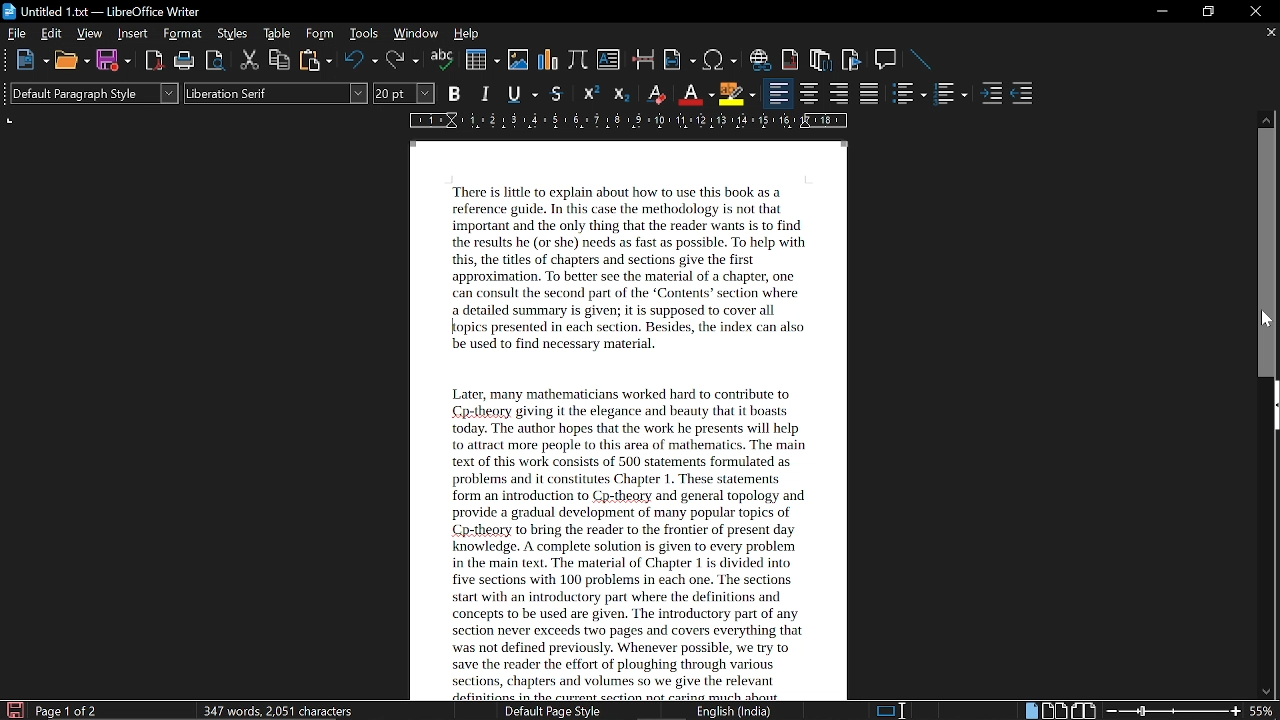 The image size is (1280, 720). Describe the element at coordinates (681, 60) in the screenshot. I see `insert field` at that location.